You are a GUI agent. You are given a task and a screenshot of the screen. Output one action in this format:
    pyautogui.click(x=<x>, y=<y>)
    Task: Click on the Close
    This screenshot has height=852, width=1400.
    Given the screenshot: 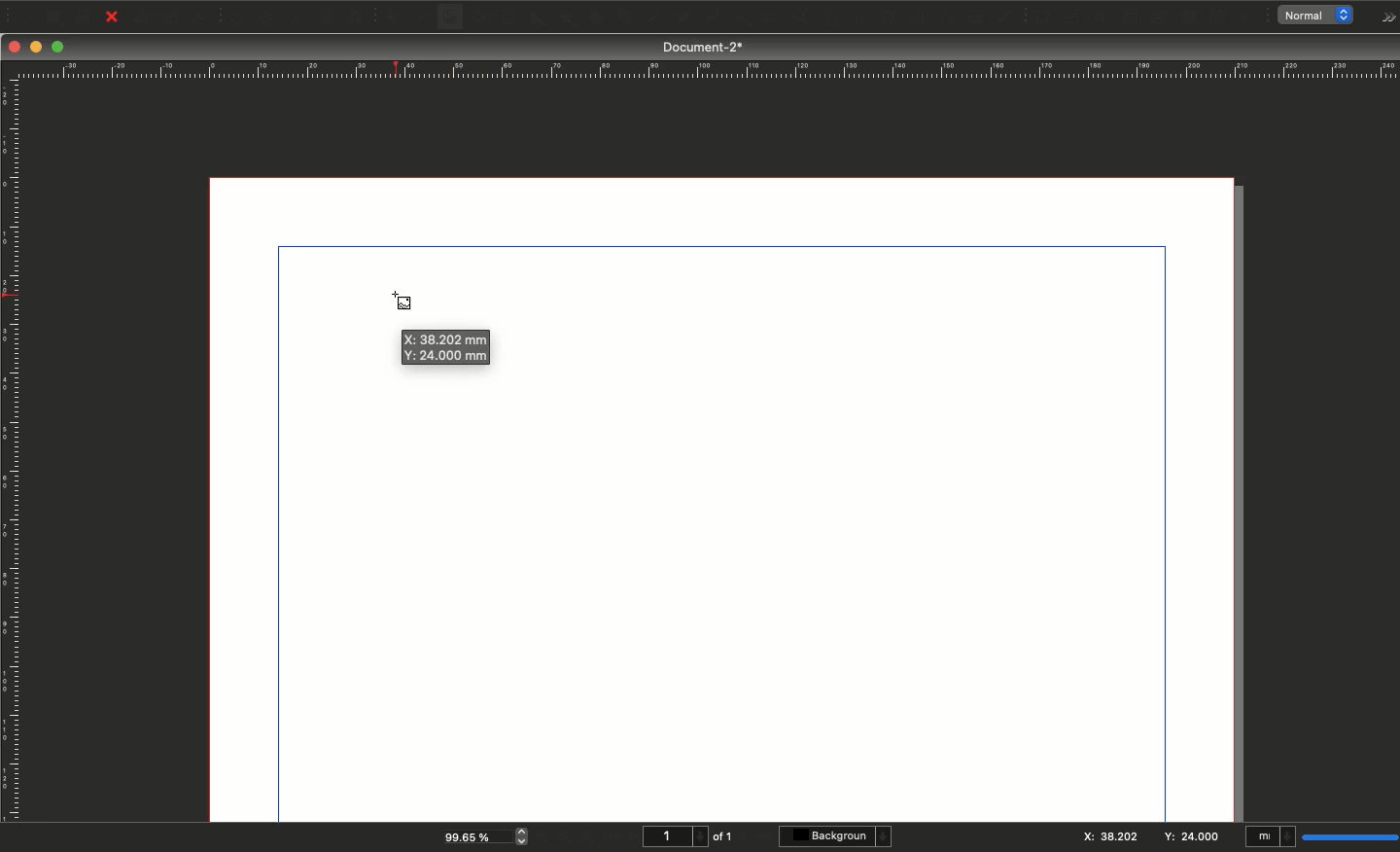 What is the action you would take?
    pyautogui.click(x=112, y=18)
    